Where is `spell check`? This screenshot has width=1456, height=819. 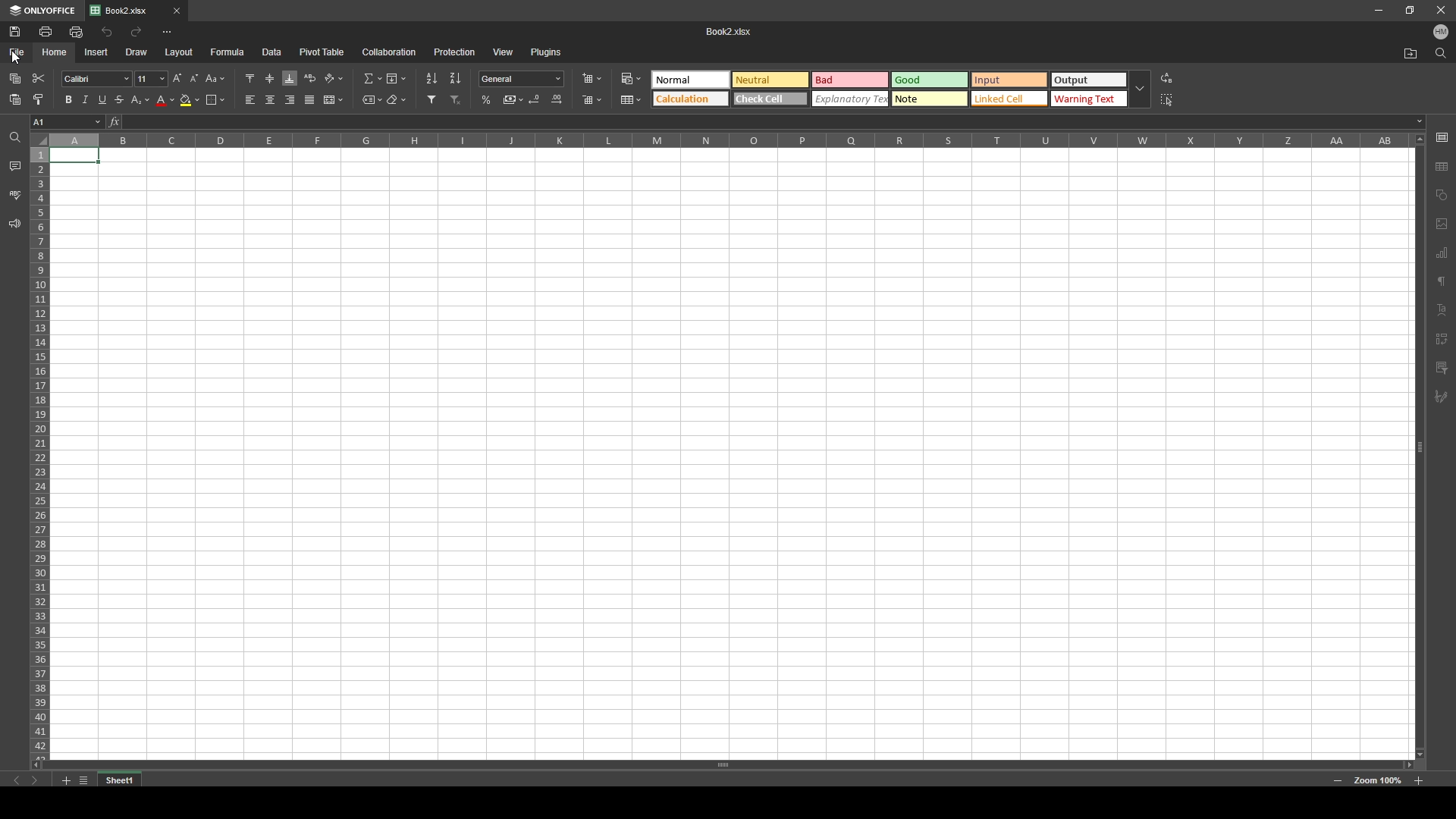
spell check is located at coordinates (14, 194).